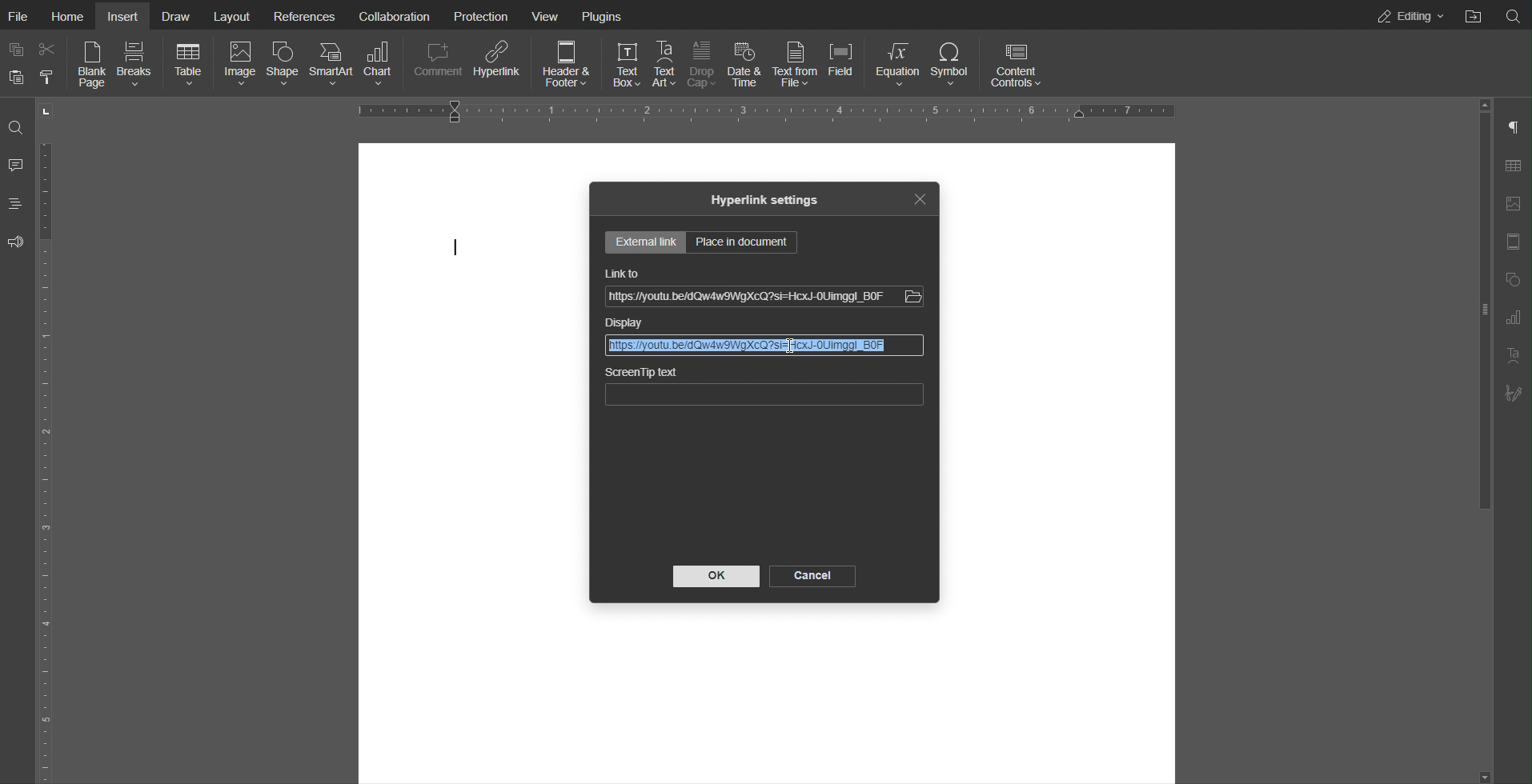 This screenshot has height=784, width=1532. I want to click on Home, so click(71, 16).